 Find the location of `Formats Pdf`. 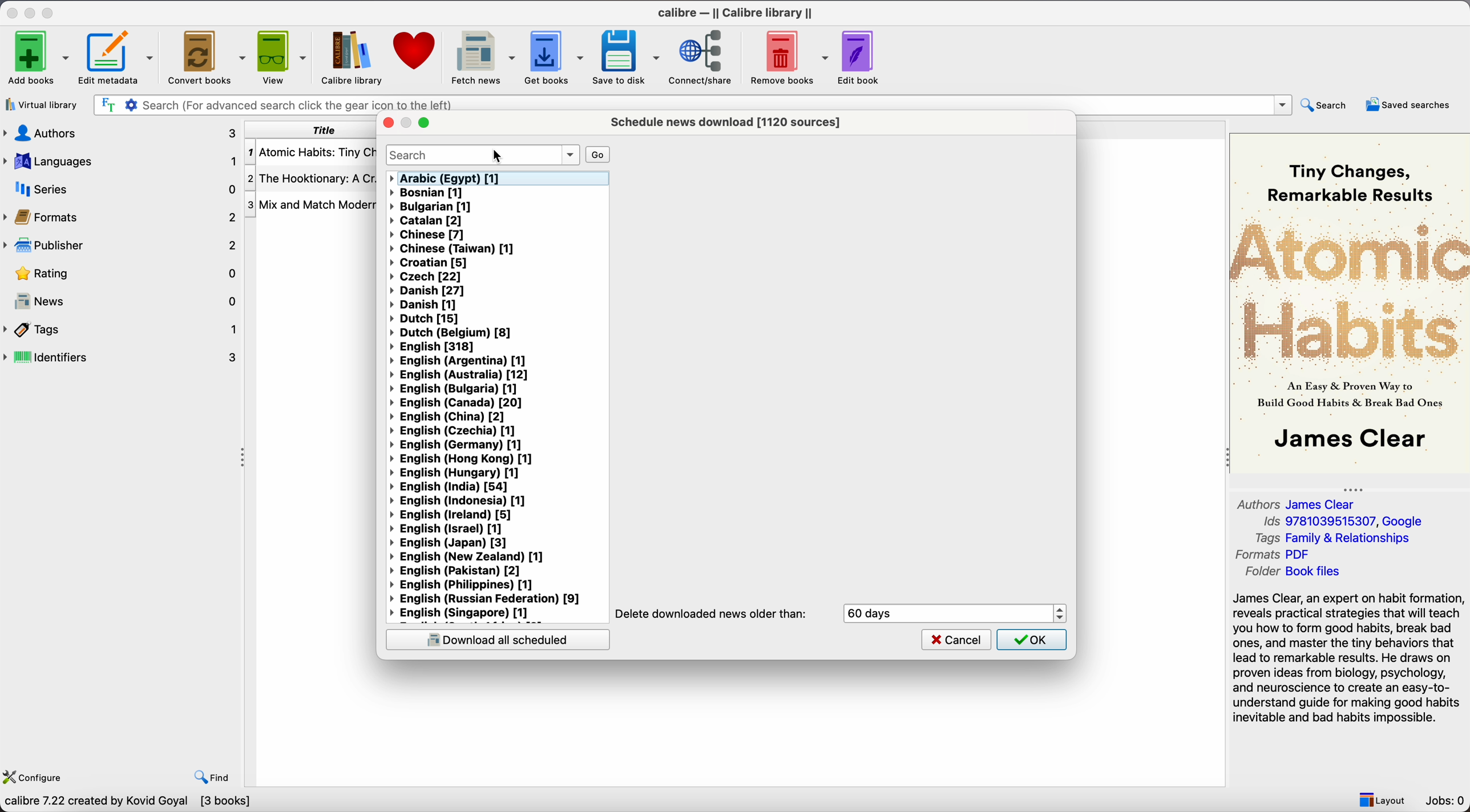

Formats Pdf is located at coordinates (1275, 555).